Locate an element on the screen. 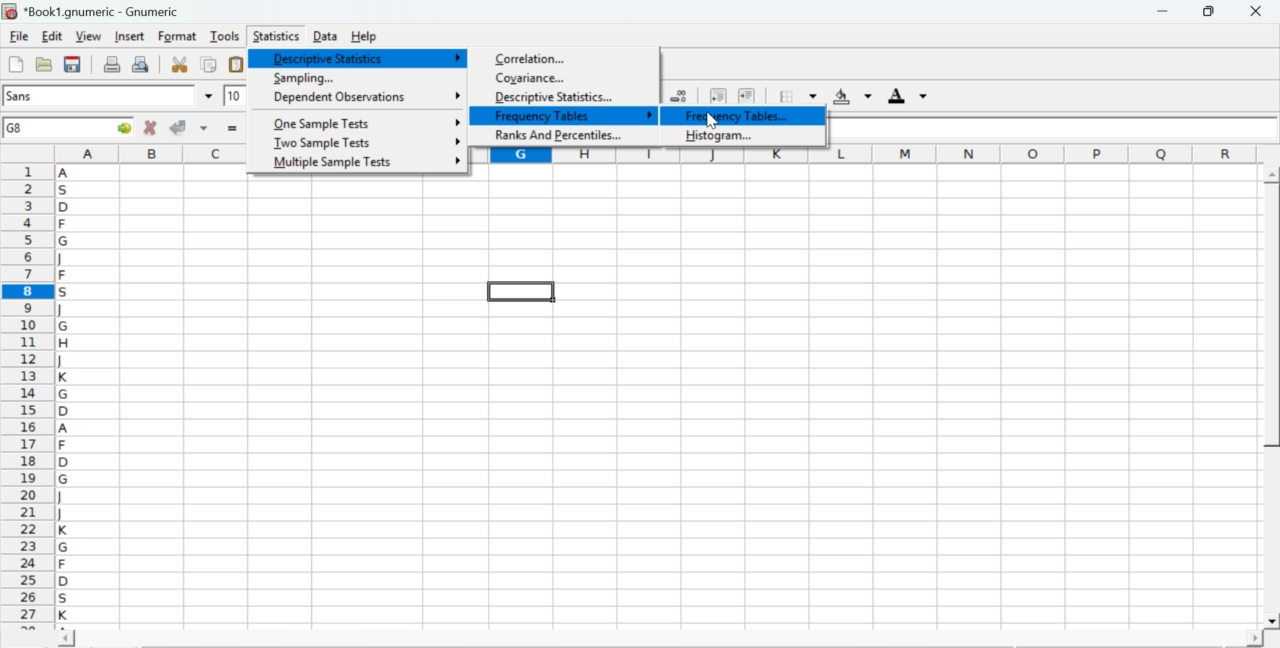 The width and height of the screenshot is (1280, 648). descriptive statistics... is located at coordinates (562, 98).